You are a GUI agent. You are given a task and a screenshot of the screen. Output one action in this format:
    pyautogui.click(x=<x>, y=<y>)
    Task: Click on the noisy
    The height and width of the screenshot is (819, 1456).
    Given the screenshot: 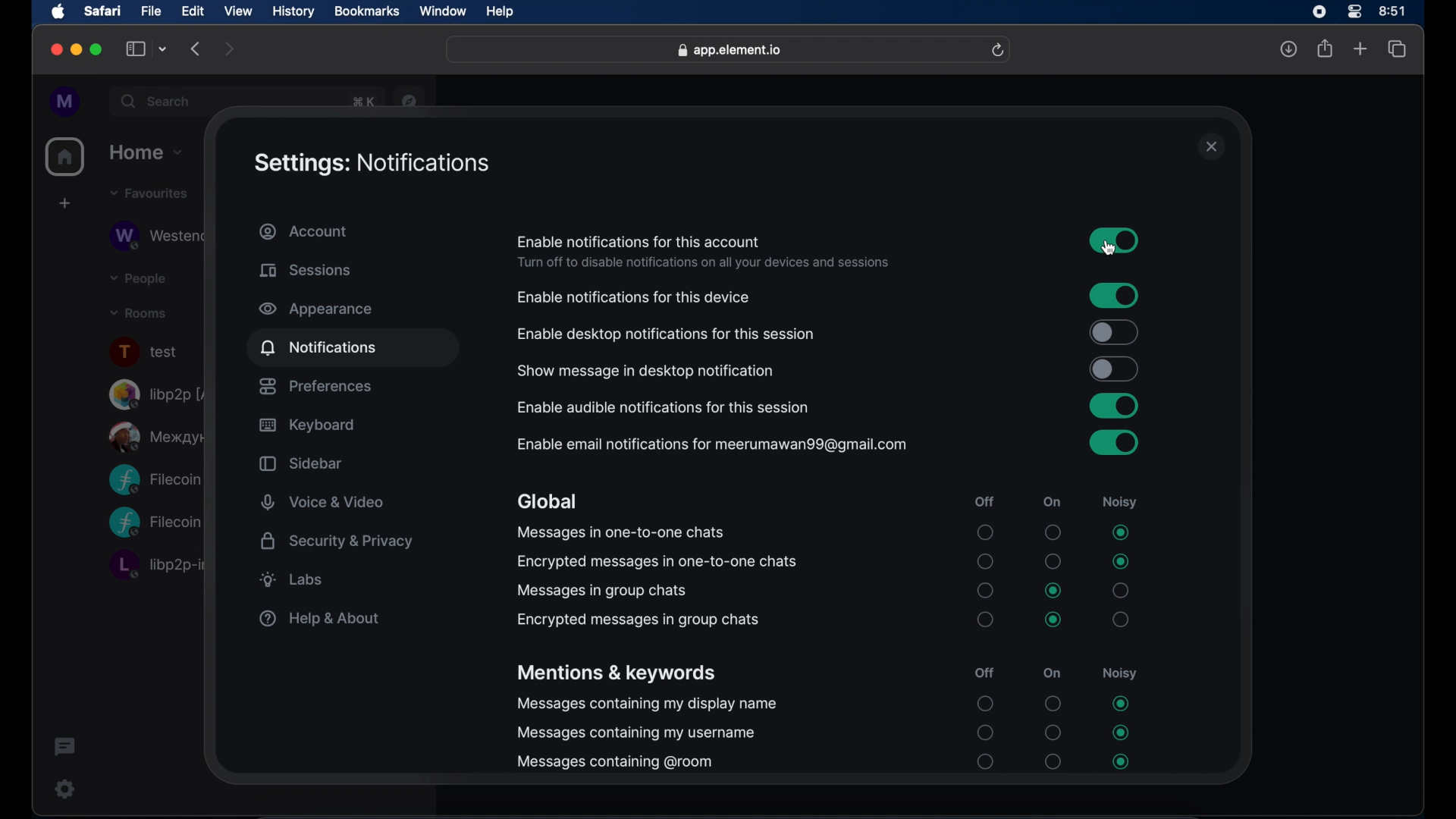 What is the action you would take?
    pyautogui.click(x=1119, y=673)
    